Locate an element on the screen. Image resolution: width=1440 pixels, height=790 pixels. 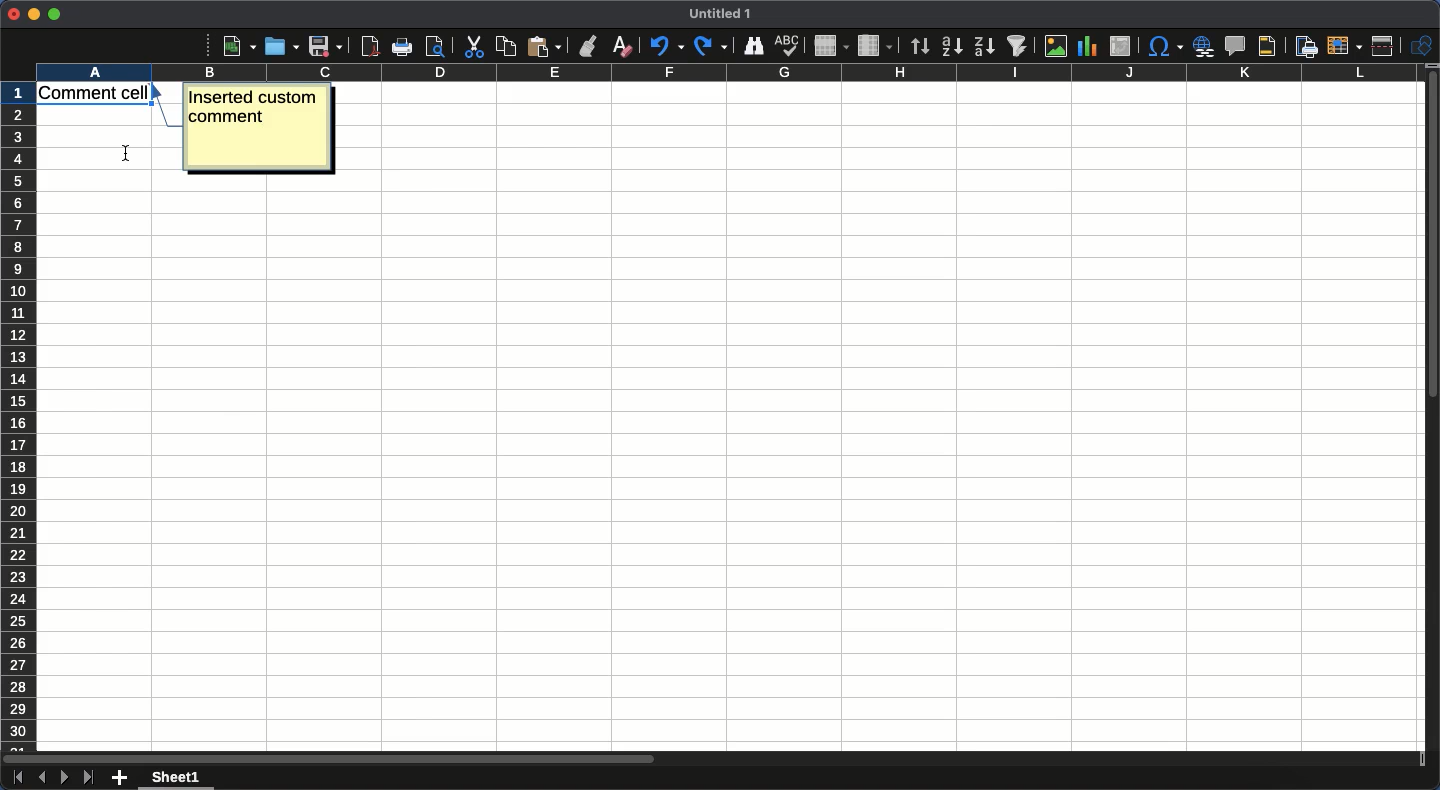
Insert edit or pivot table is located at coordinates (1120, 45).